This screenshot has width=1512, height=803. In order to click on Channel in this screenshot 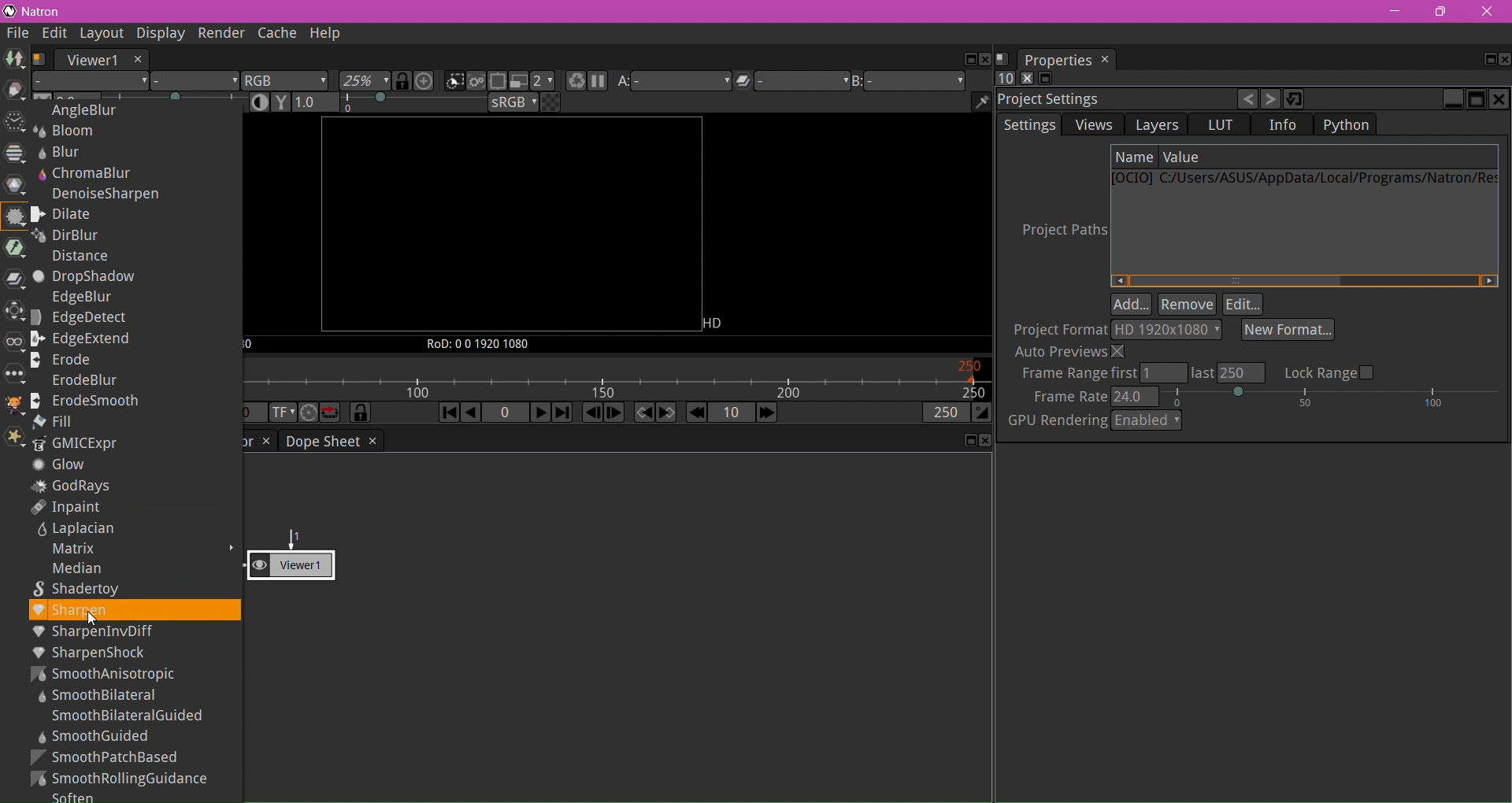, I will do `click(15, 154)`.